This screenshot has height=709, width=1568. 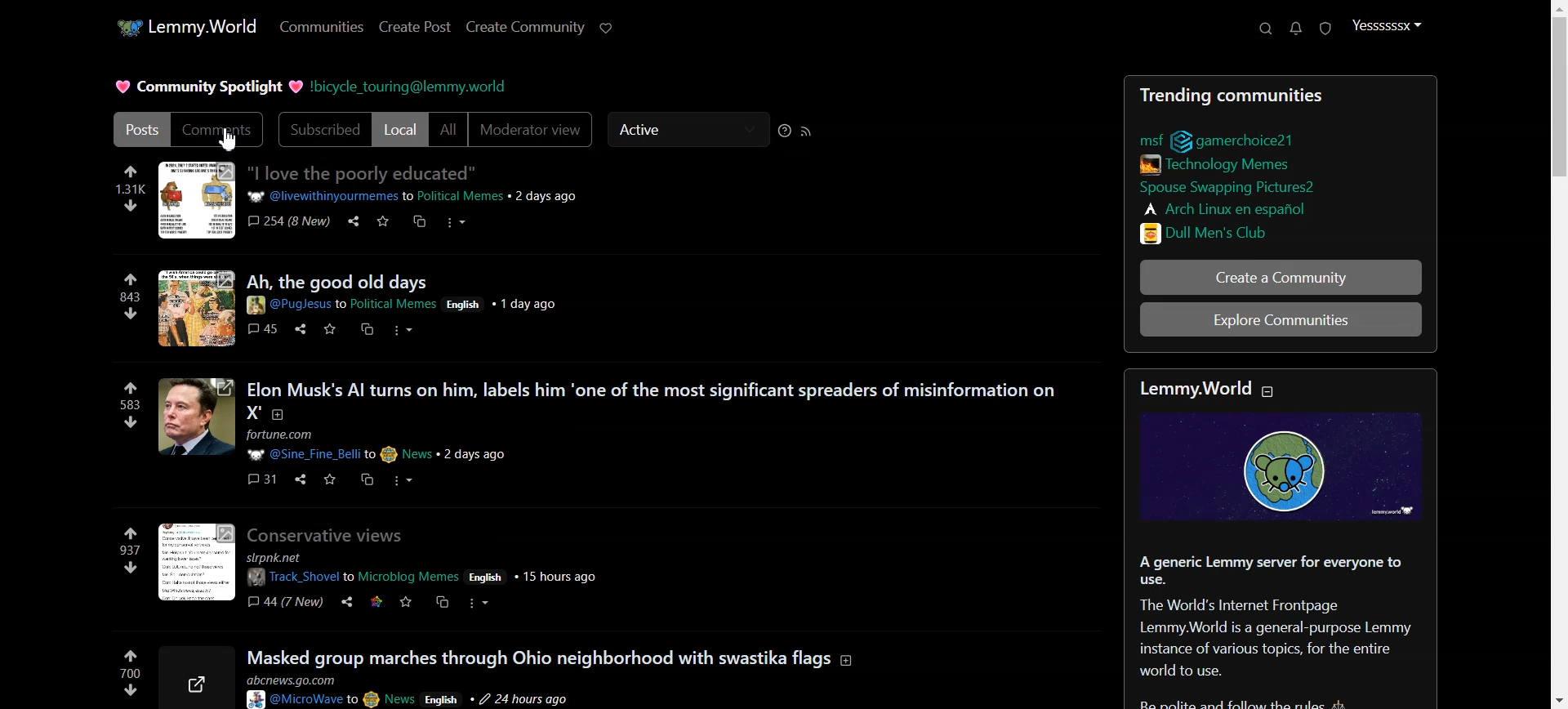 What do you see at coordinates (1211, 232) in the screenshot?
I see `LInks` at bounding box center [1211, 232].